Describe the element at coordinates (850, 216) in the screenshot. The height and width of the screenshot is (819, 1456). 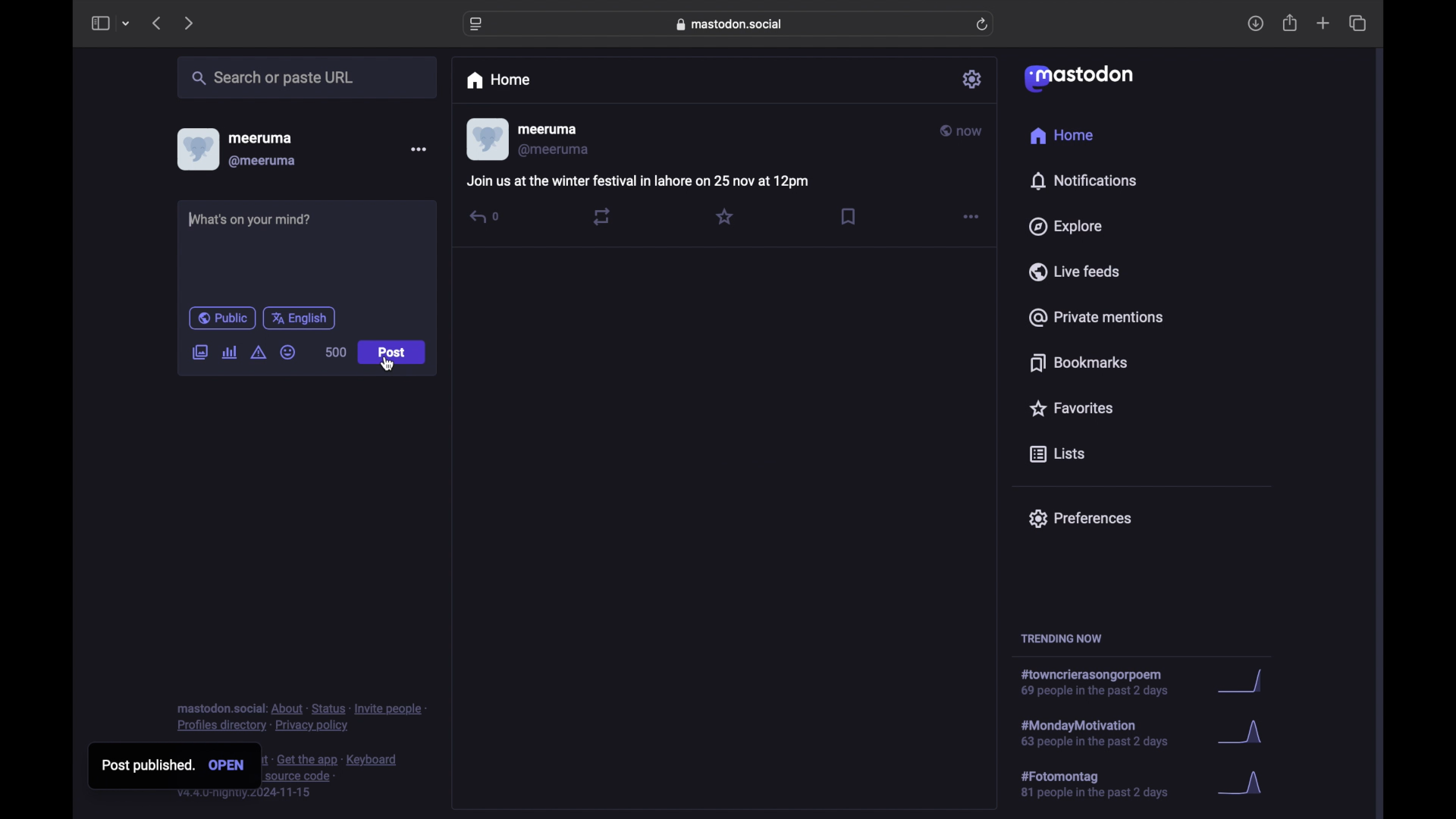
I see `saved` at that location.